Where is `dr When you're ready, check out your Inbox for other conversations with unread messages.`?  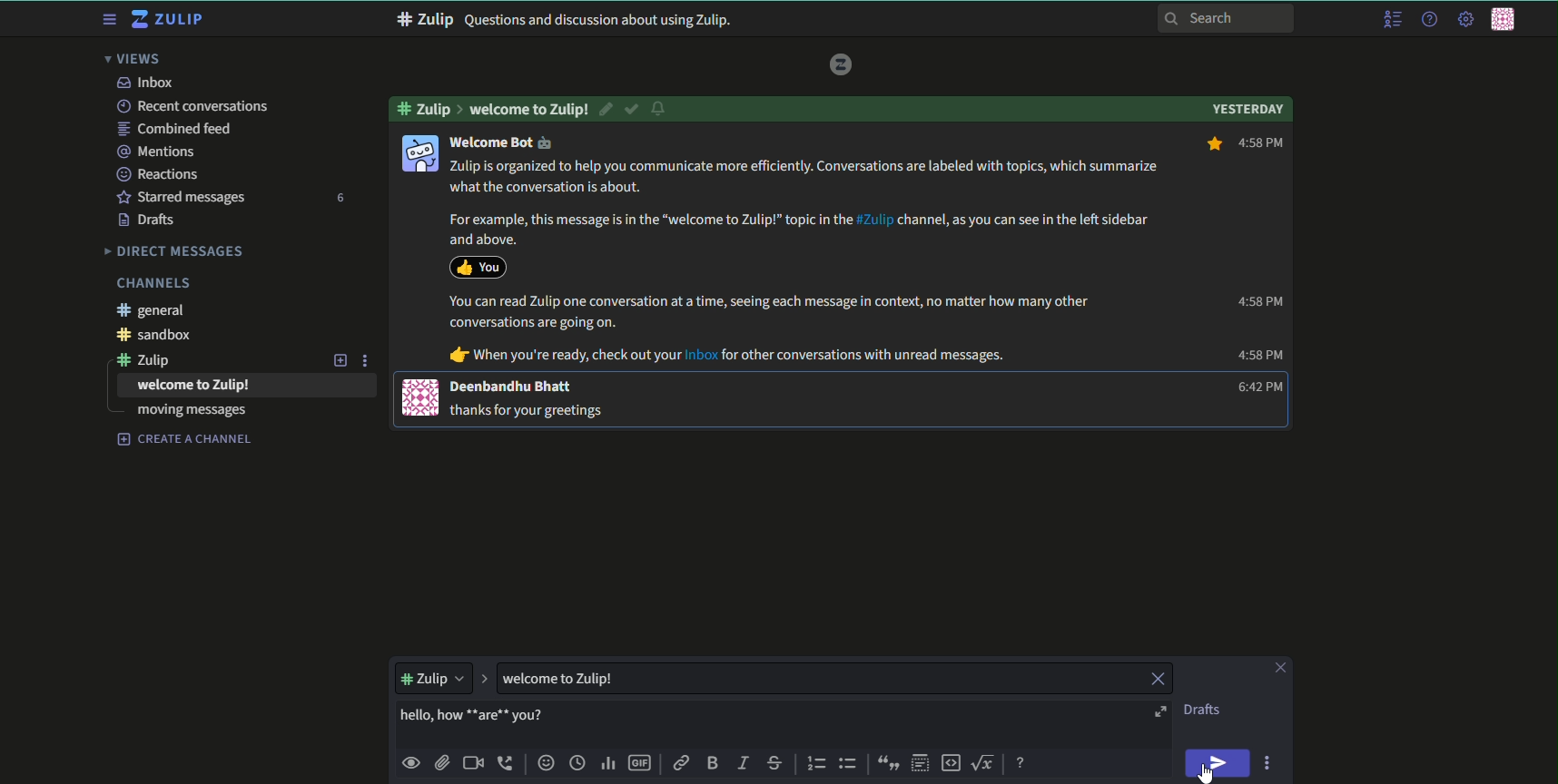 dr When you're ready, check out your Inbox for other conversations with unread messages. is located at coordinates (725, 356).